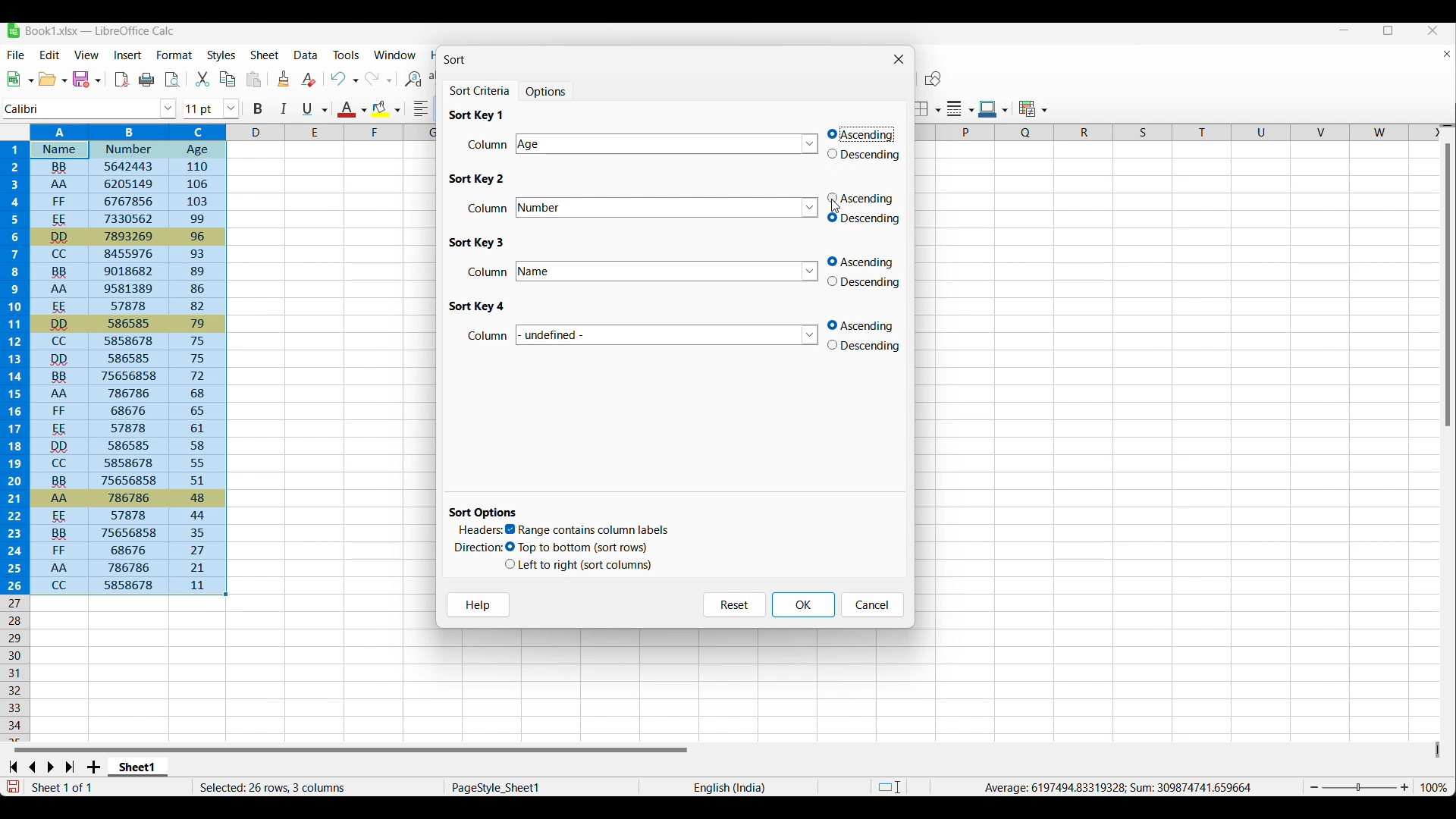 The height and width of the screenshot is (819, 1456). I want to click on Section title, so click(484, 513).